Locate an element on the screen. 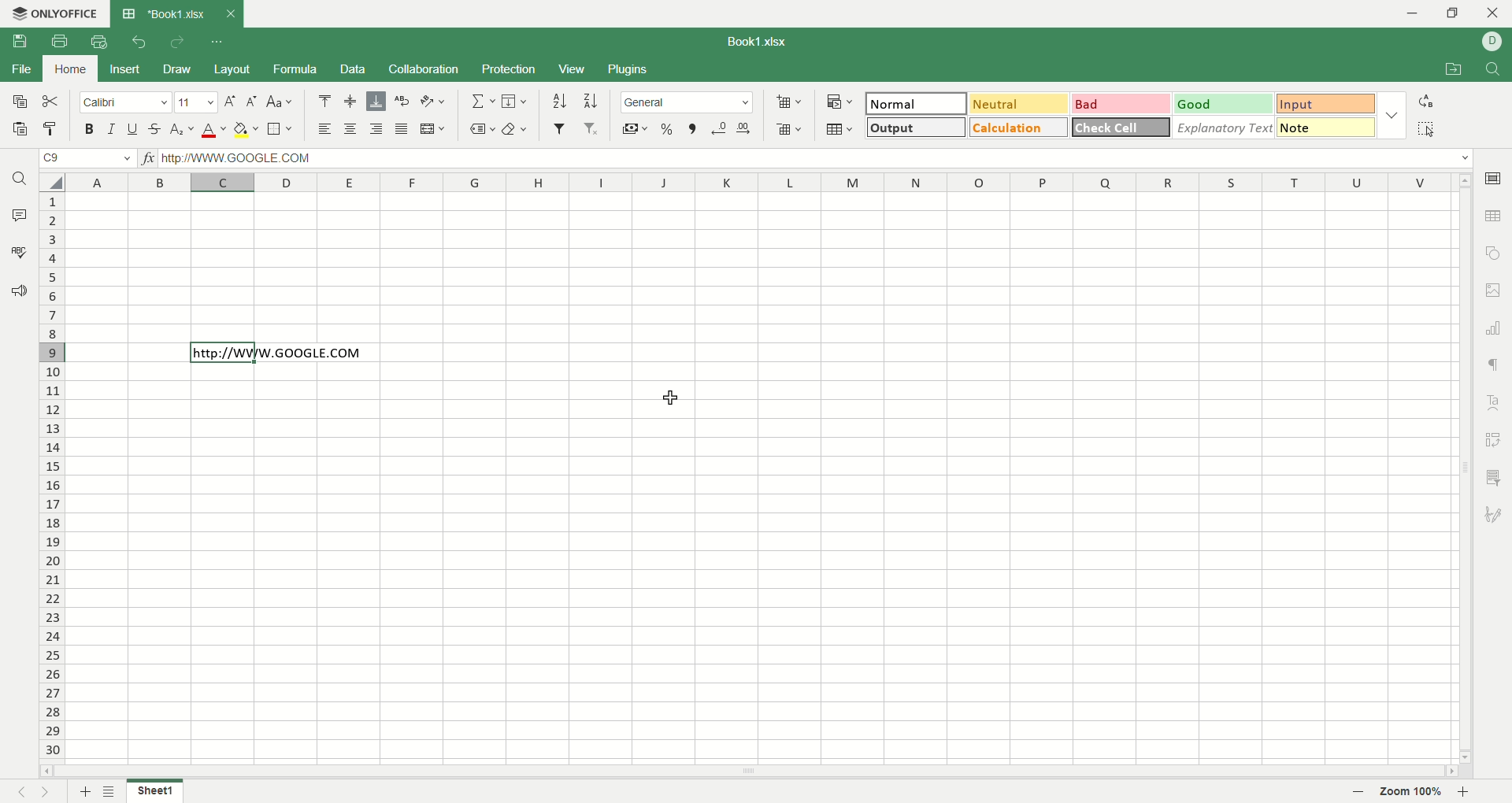 The image size is (1512, 803). maximize is located at coordinates (1453, 13).